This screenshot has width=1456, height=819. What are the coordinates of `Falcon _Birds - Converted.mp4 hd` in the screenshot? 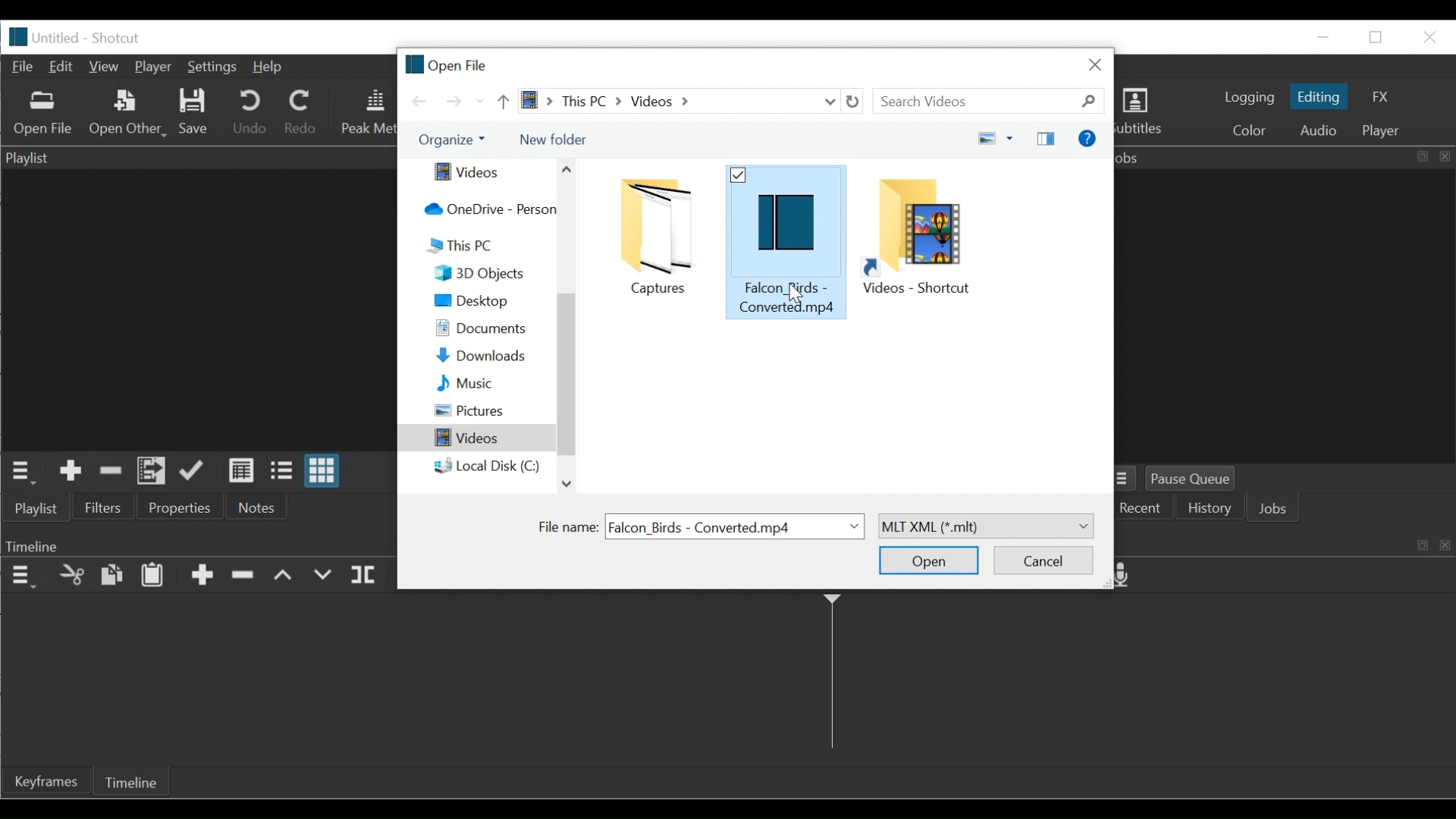 It's located at (736, 526).